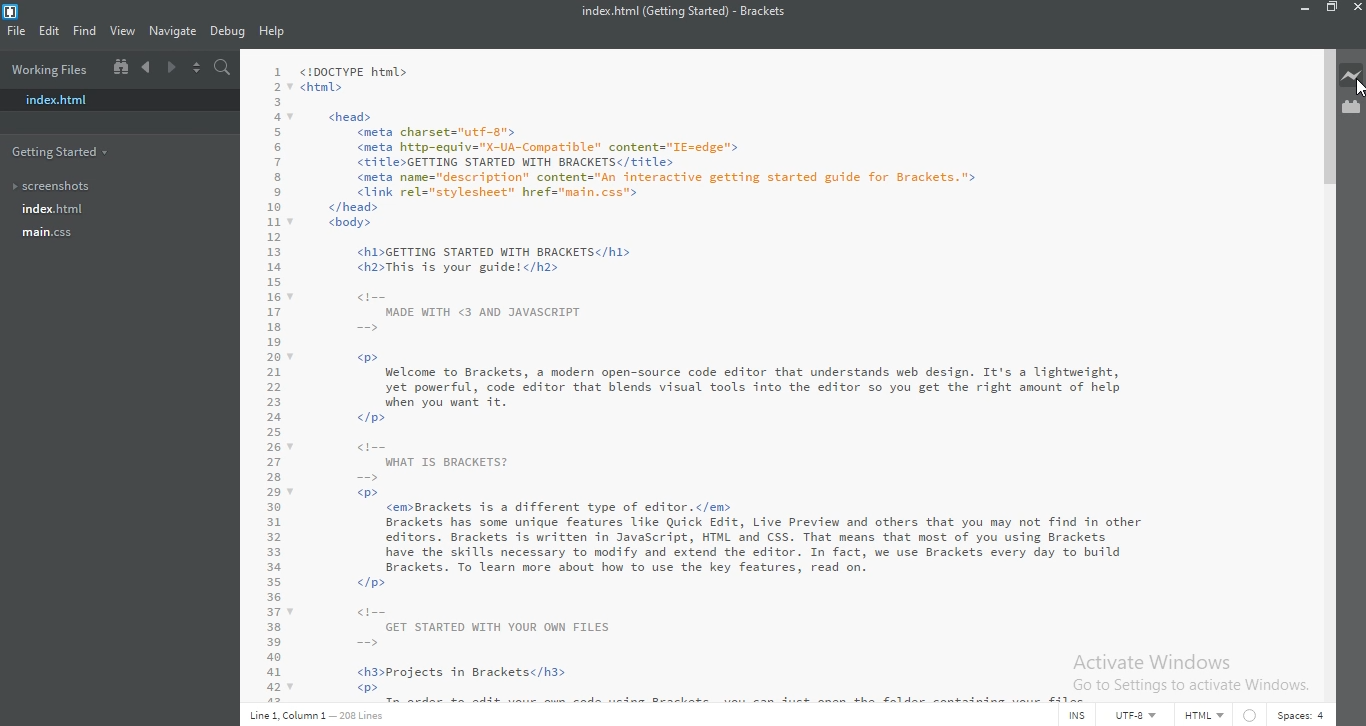  I want to click on Help, so click(275, 30).